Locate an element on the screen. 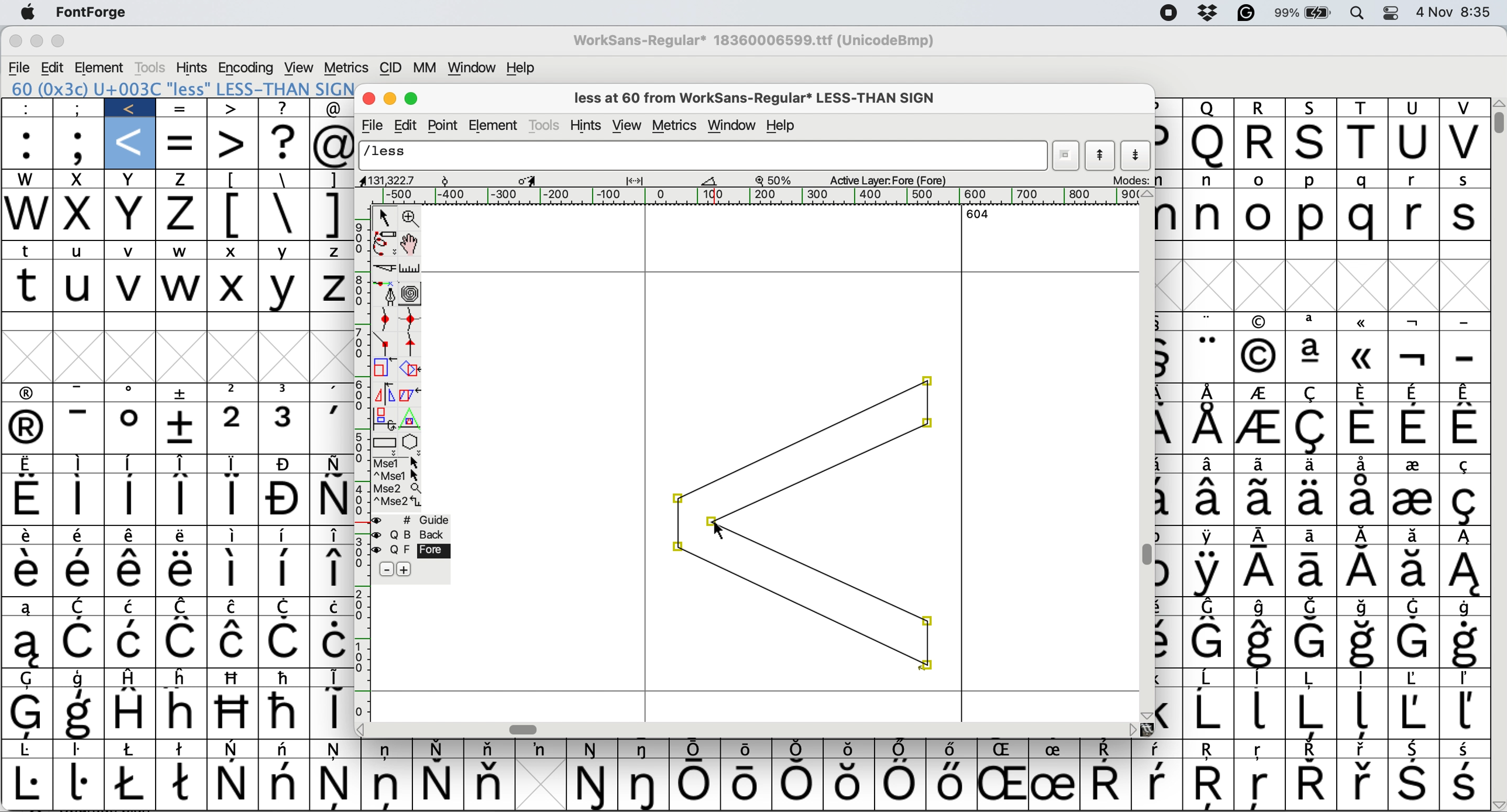  zoom scale is located at coordinates (775, 178).